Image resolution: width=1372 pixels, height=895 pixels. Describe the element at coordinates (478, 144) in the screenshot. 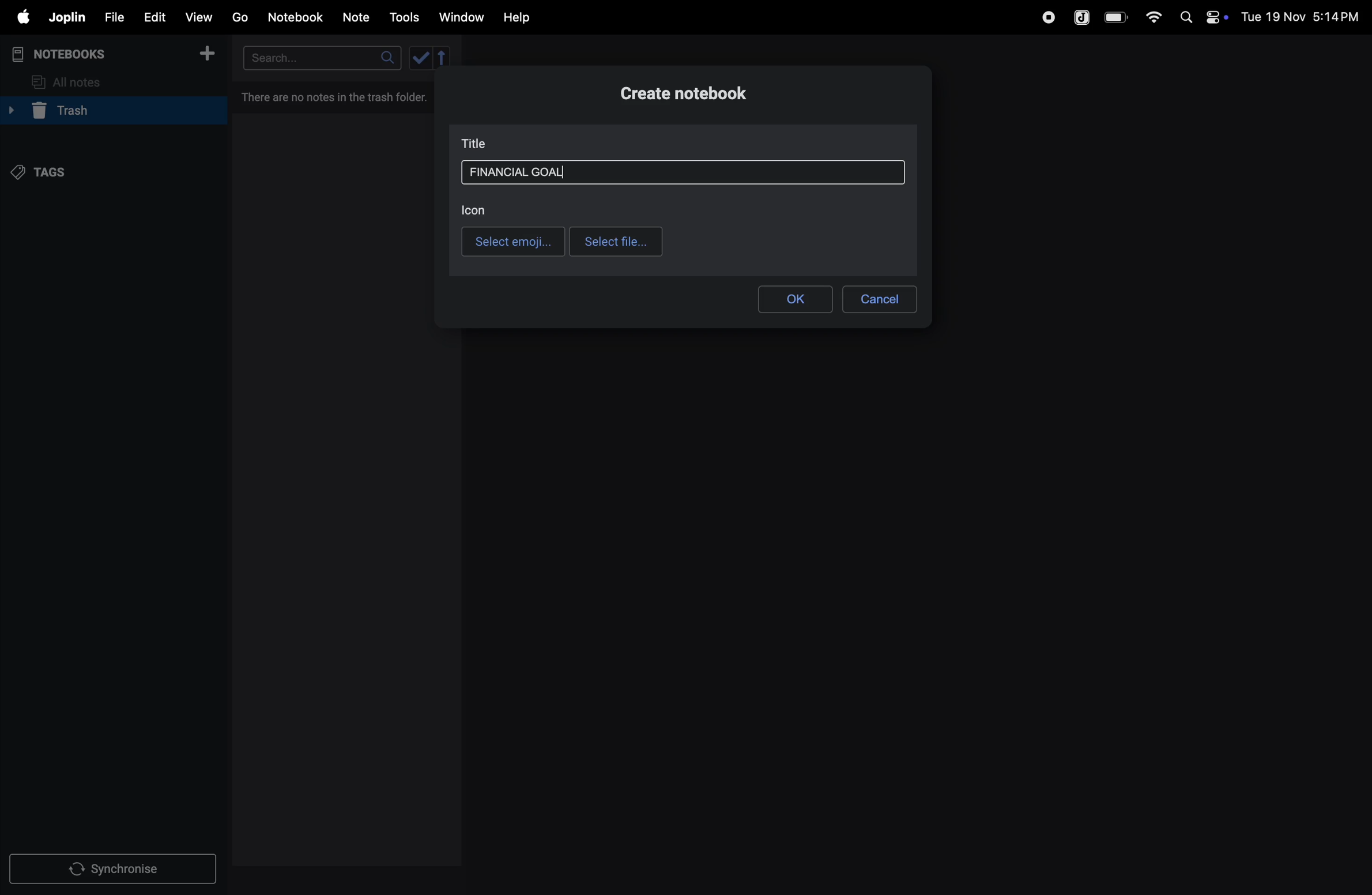

I see `title` at that location.